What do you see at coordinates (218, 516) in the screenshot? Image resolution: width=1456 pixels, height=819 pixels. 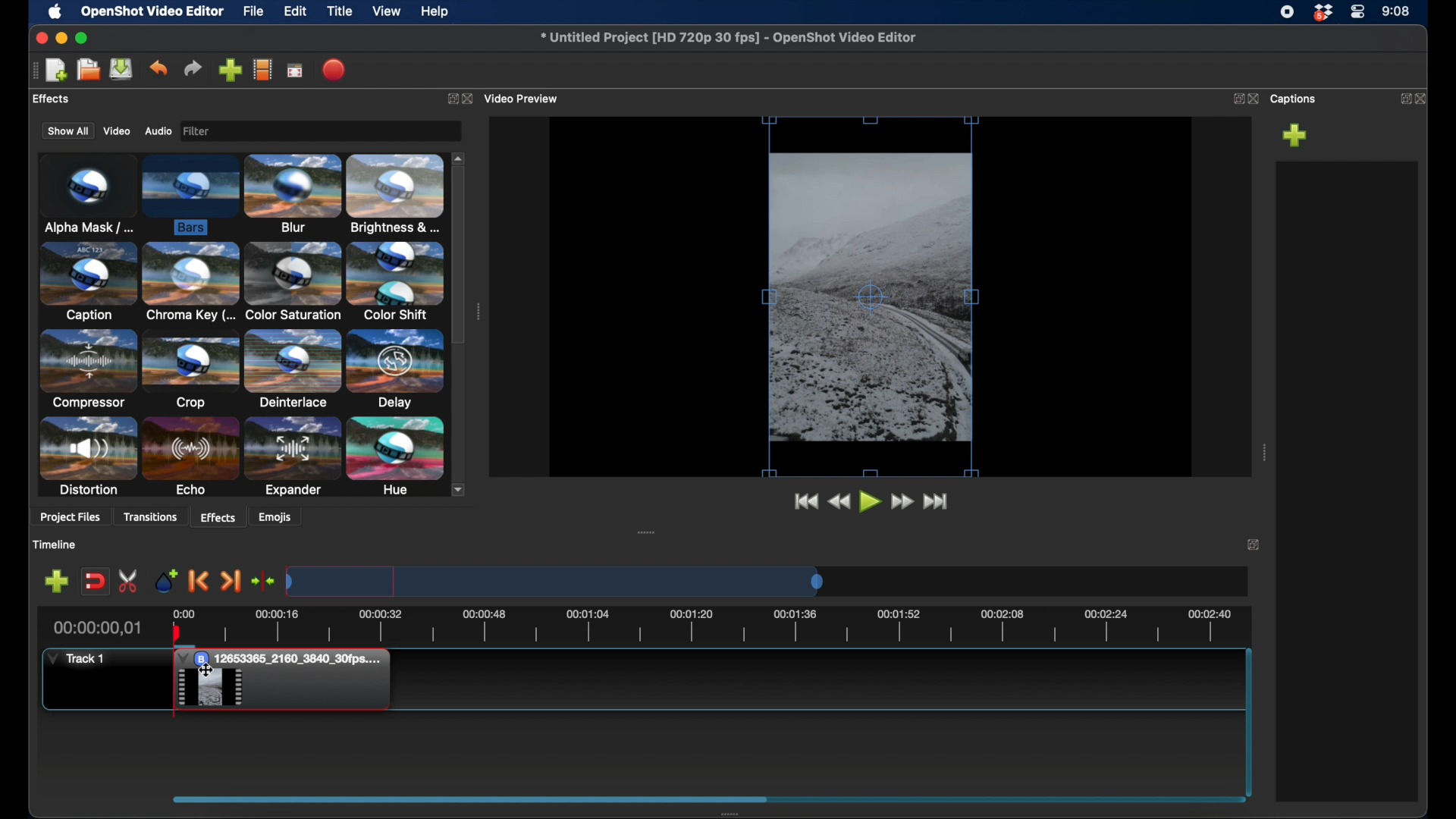 I see `effects` at bounding box center [218, 516].